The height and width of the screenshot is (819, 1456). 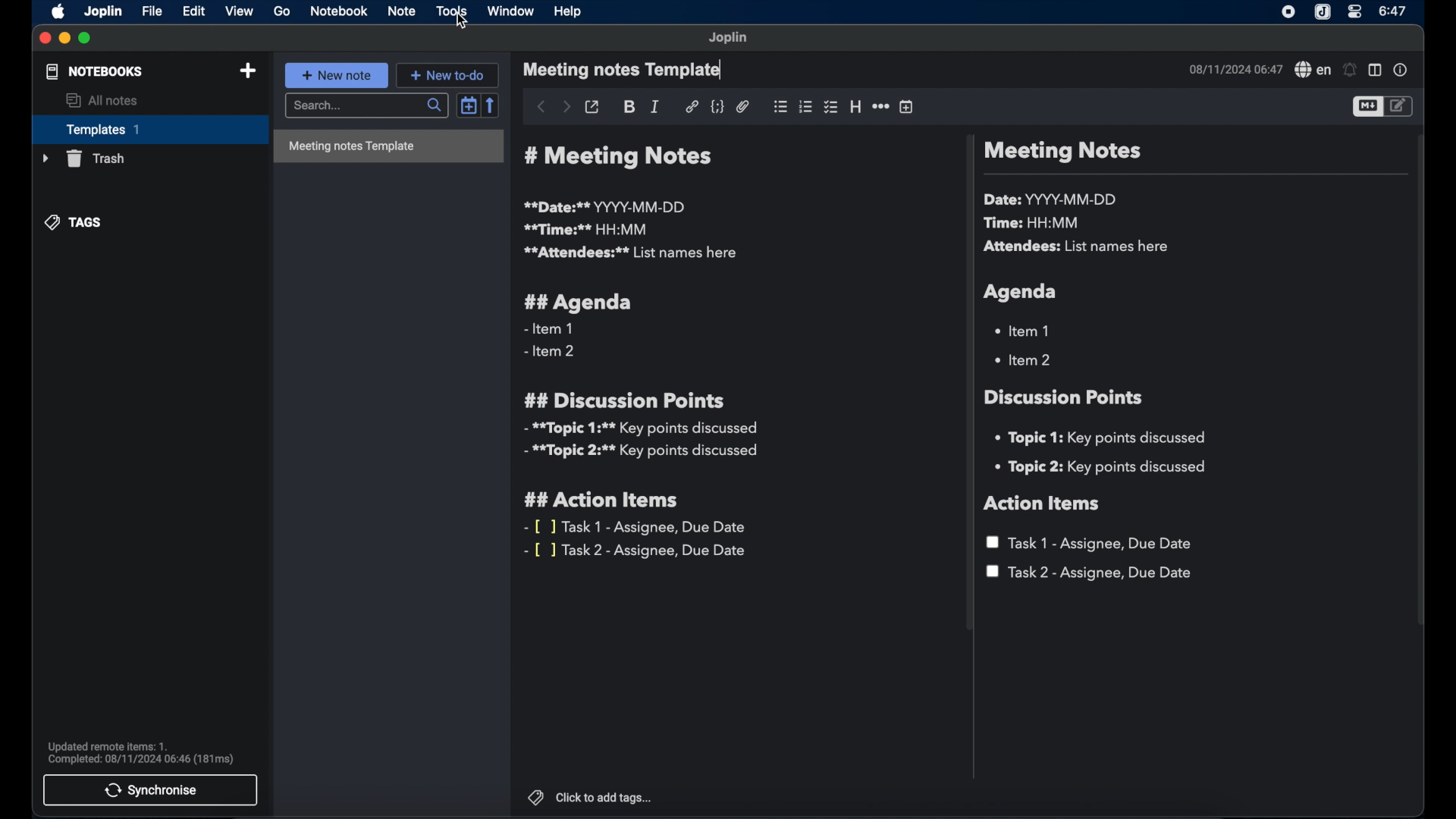 I want to click on scroll bar, so click(x=1421, y=390).